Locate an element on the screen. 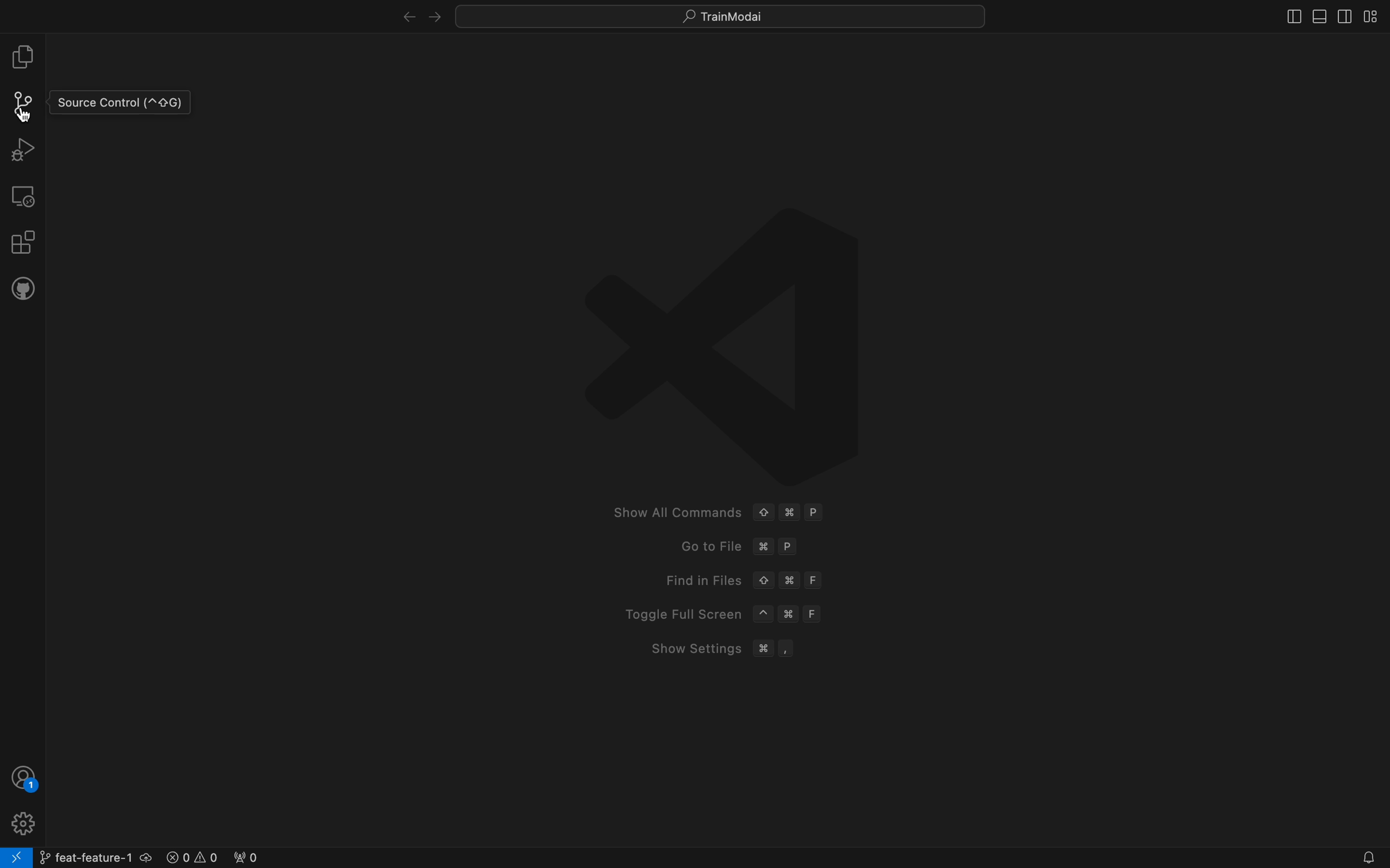  ^ is located at coordinates (764, 614).